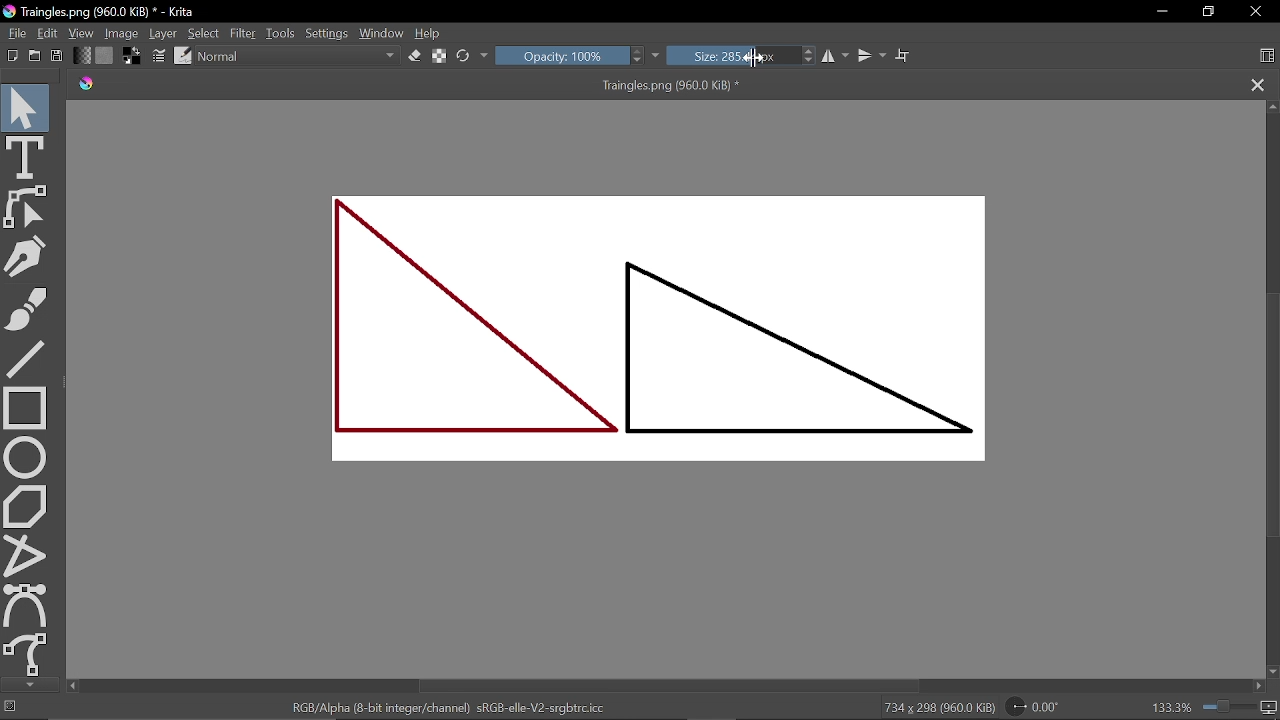 This screenshot has width=1280, height=720. I want to click on Open as existing document, so click(35, 56).